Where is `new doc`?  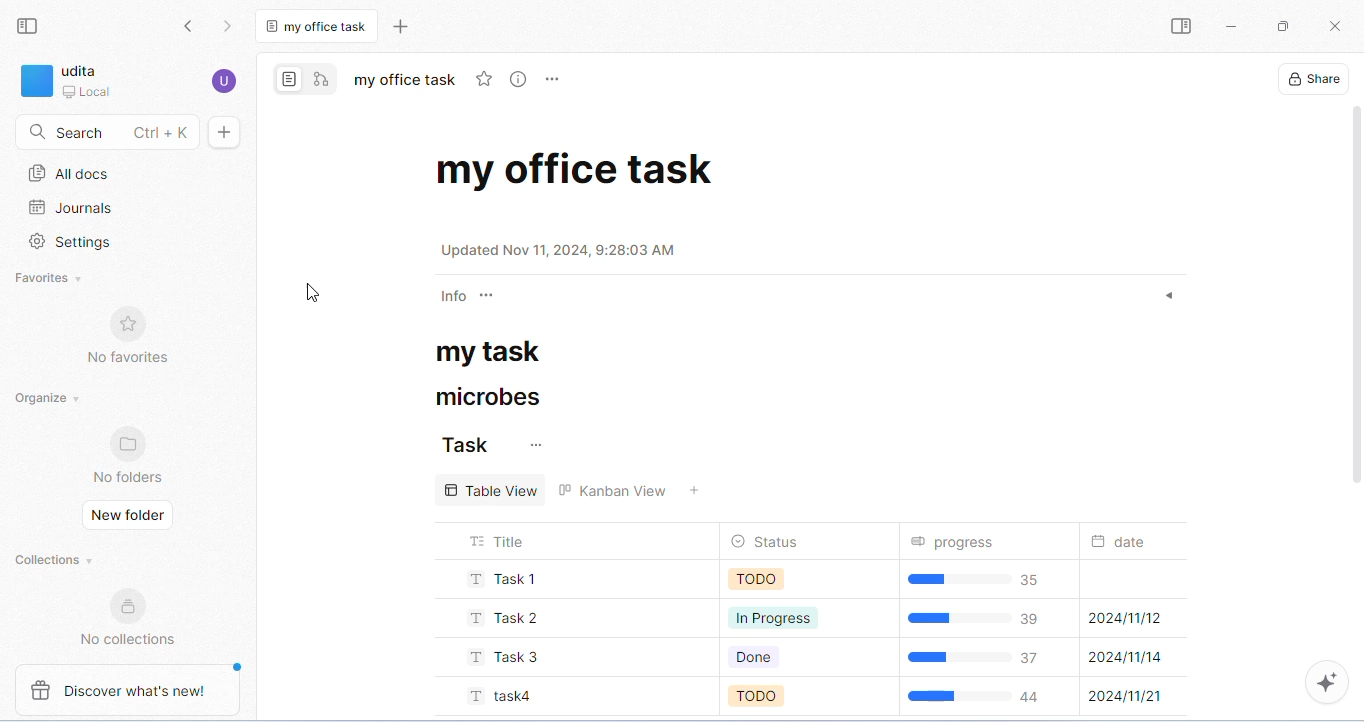 new doc is located at coordinates (225, 132).